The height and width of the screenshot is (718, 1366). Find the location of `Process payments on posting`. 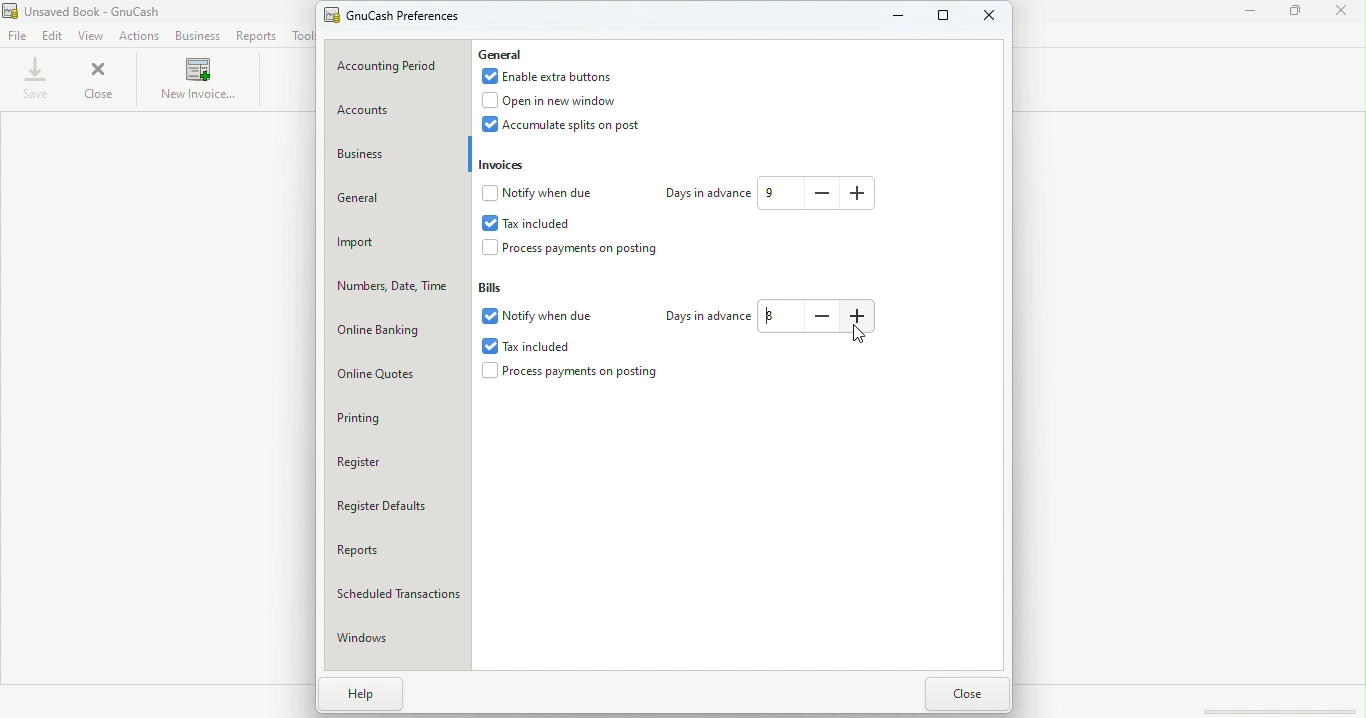

Process payments on posting is located at coordinates (584, 250).